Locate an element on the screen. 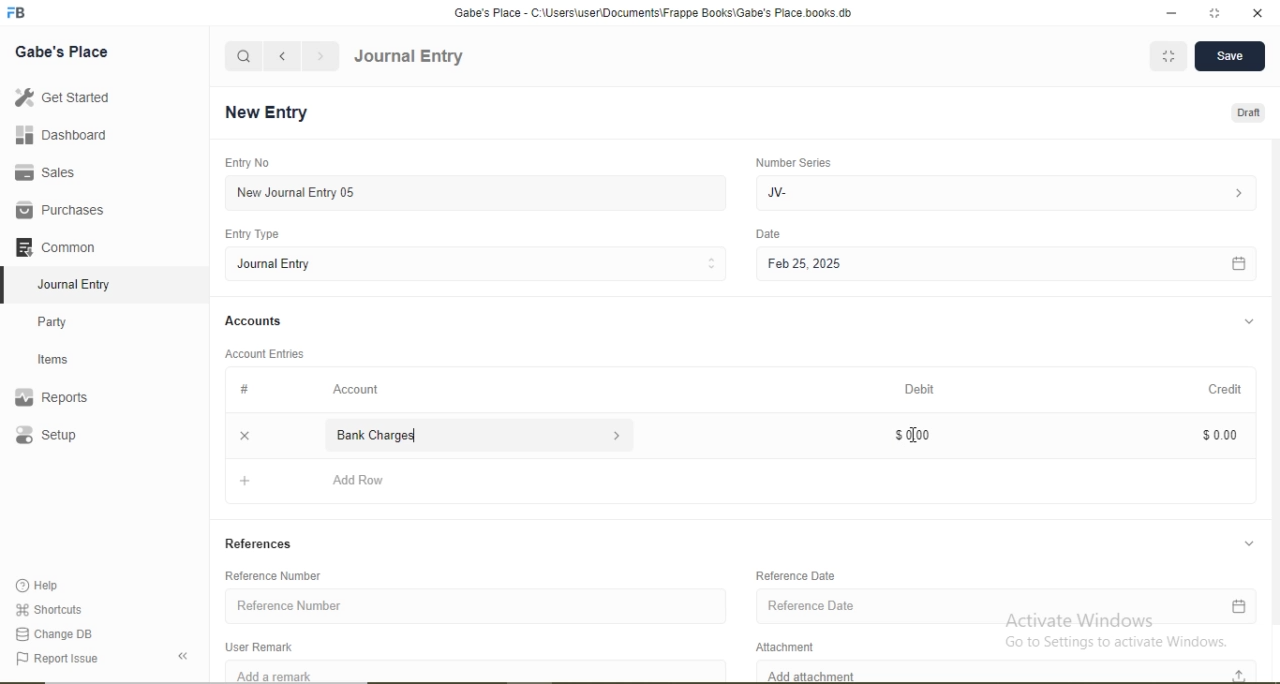 The image size is (1280, 684). navigate backward is located at coordinates (281, 56).